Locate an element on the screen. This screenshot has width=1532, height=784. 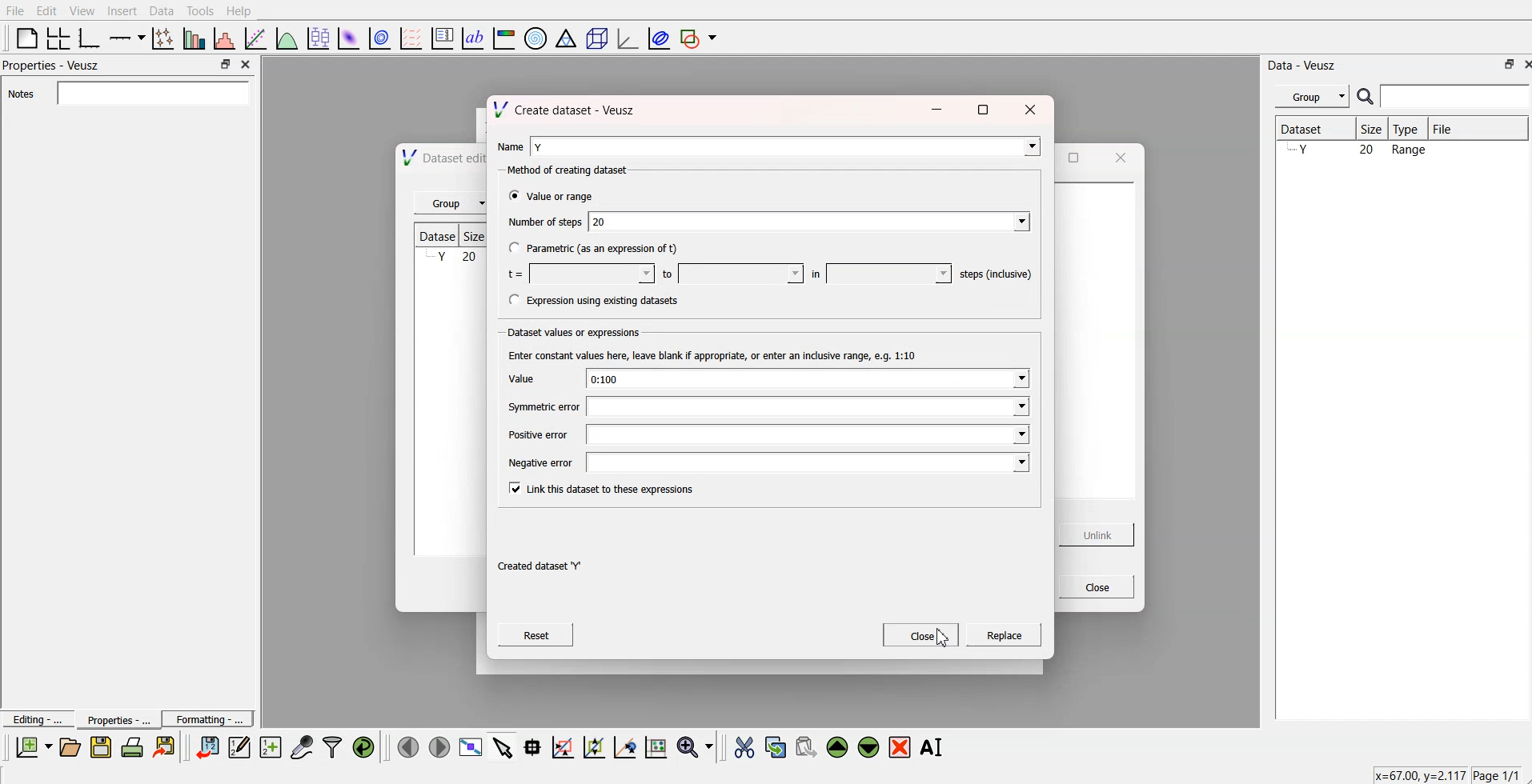
click to recentre graph axes is located at coordinates (626, 745).